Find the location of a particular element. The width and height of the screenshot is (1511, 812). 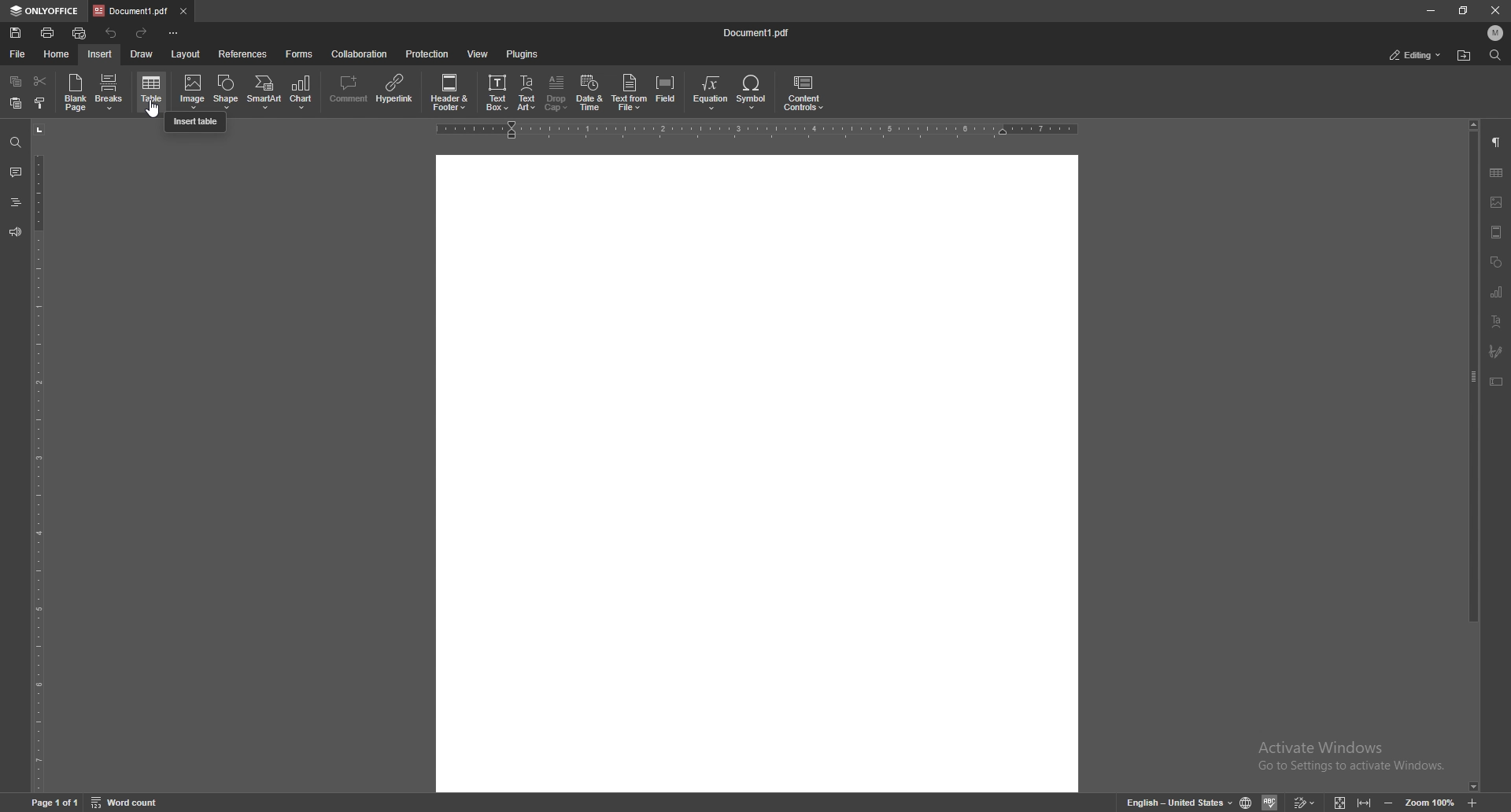

table is located at coordinates (1498, 172).